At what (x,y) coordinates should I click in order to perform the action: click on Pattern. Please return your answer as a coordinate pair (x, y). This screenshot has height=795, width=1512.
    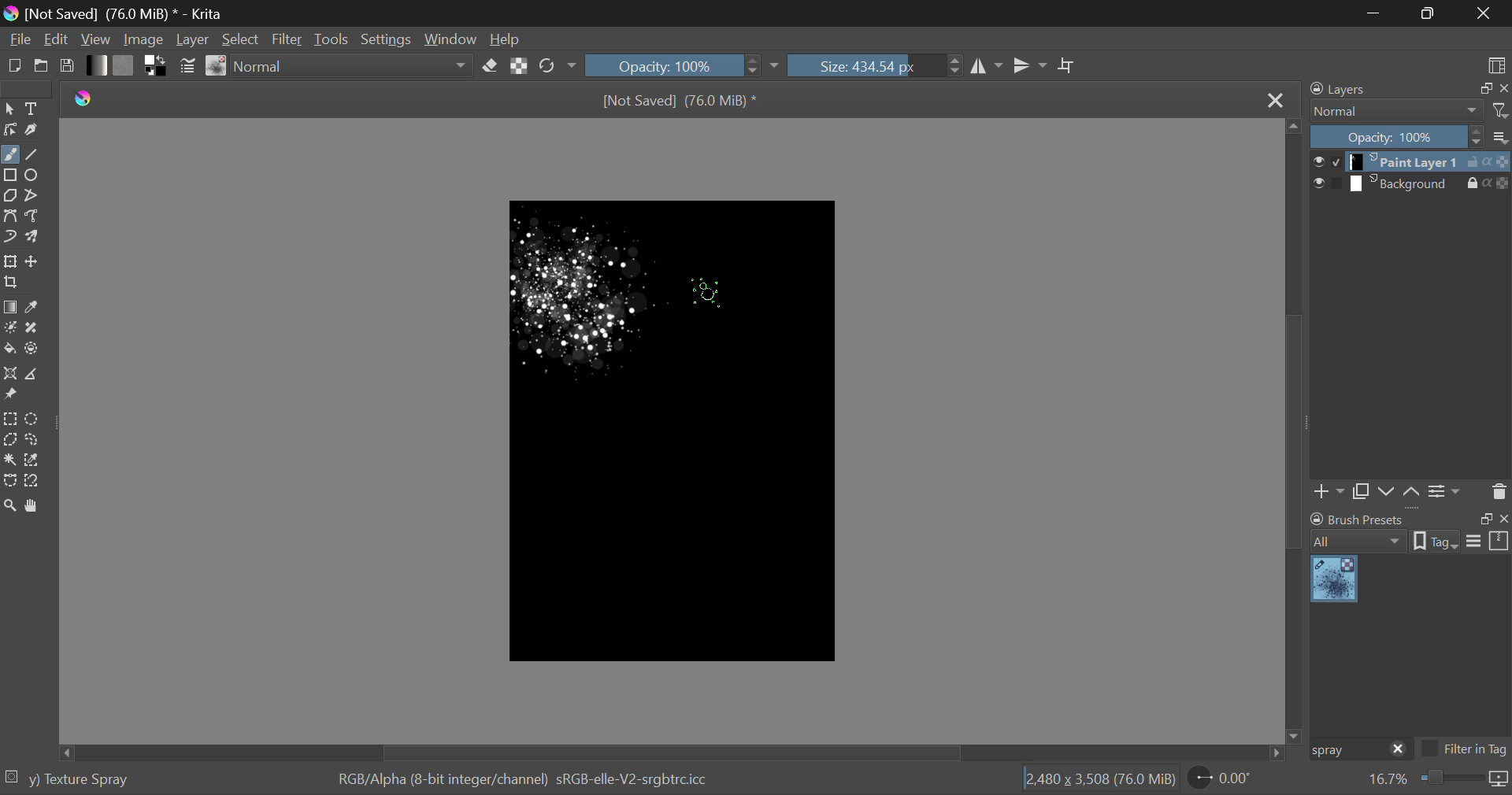
    Looking at the image, I should click on (124, 65).